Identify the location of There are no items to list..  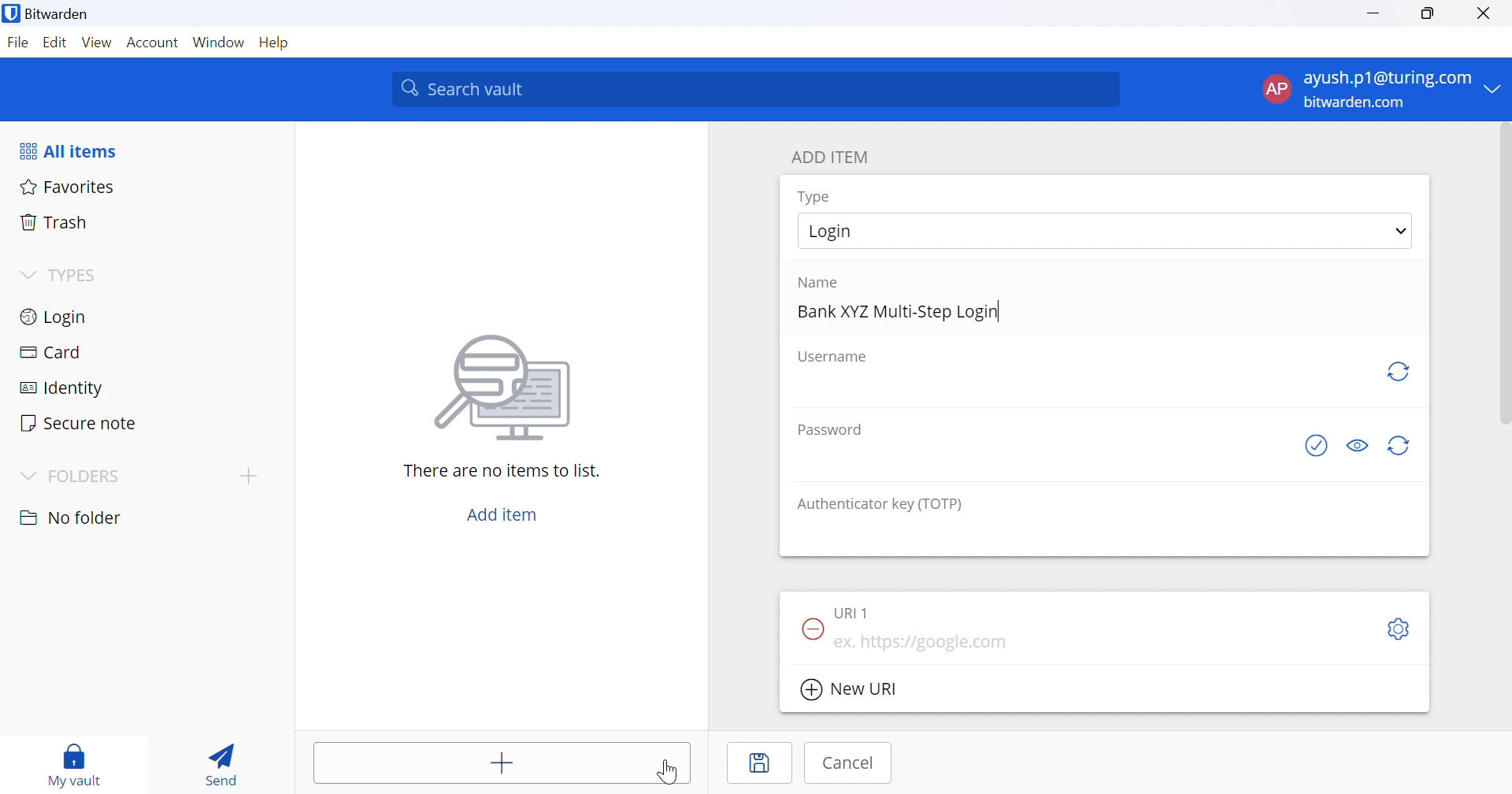
(502, 471).